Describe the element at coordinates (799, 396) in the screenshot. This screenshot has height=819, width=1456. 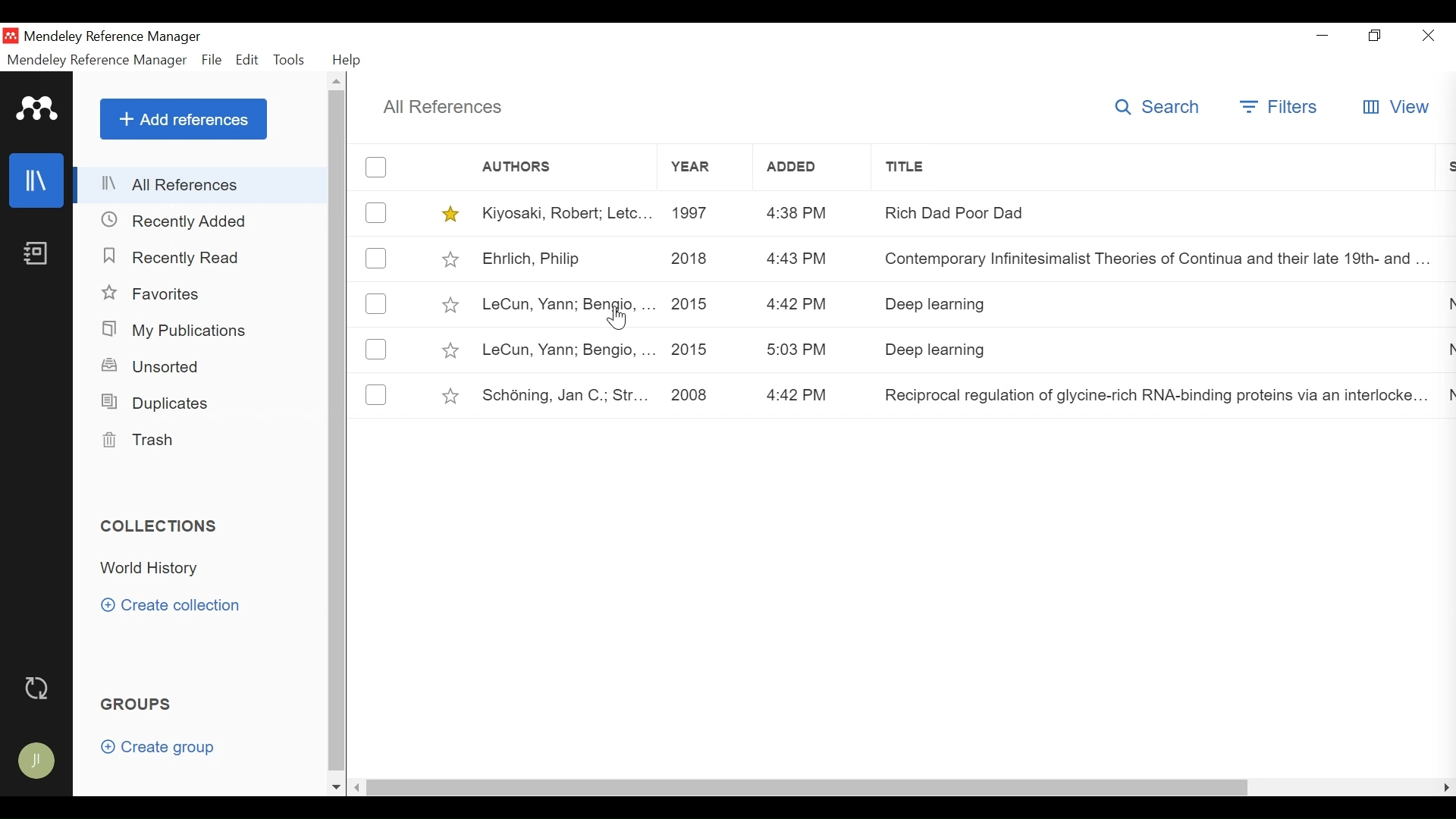
I see `4:42 PM` at that location.